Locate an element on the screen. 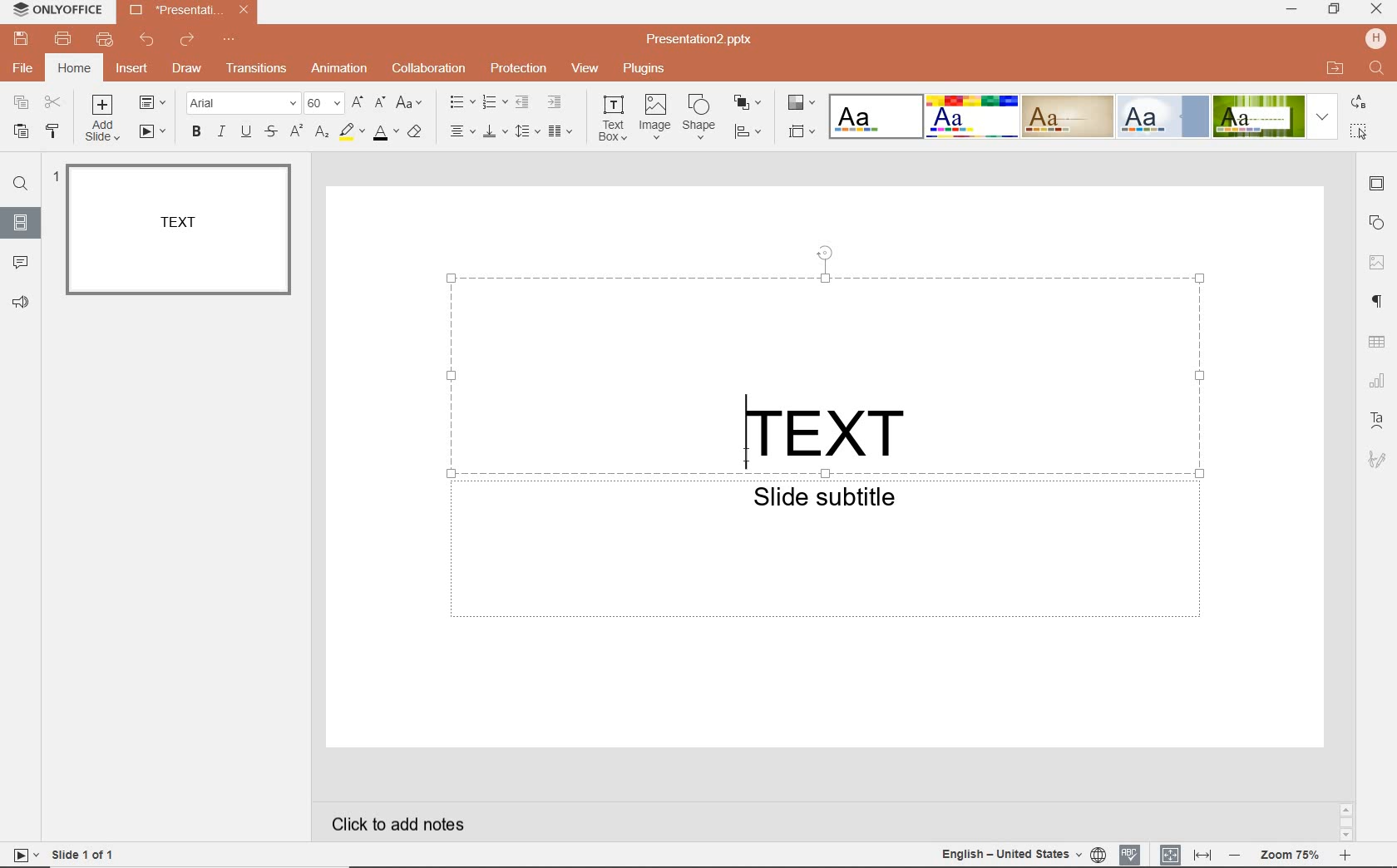  close is located at coordinates (1377, 10).